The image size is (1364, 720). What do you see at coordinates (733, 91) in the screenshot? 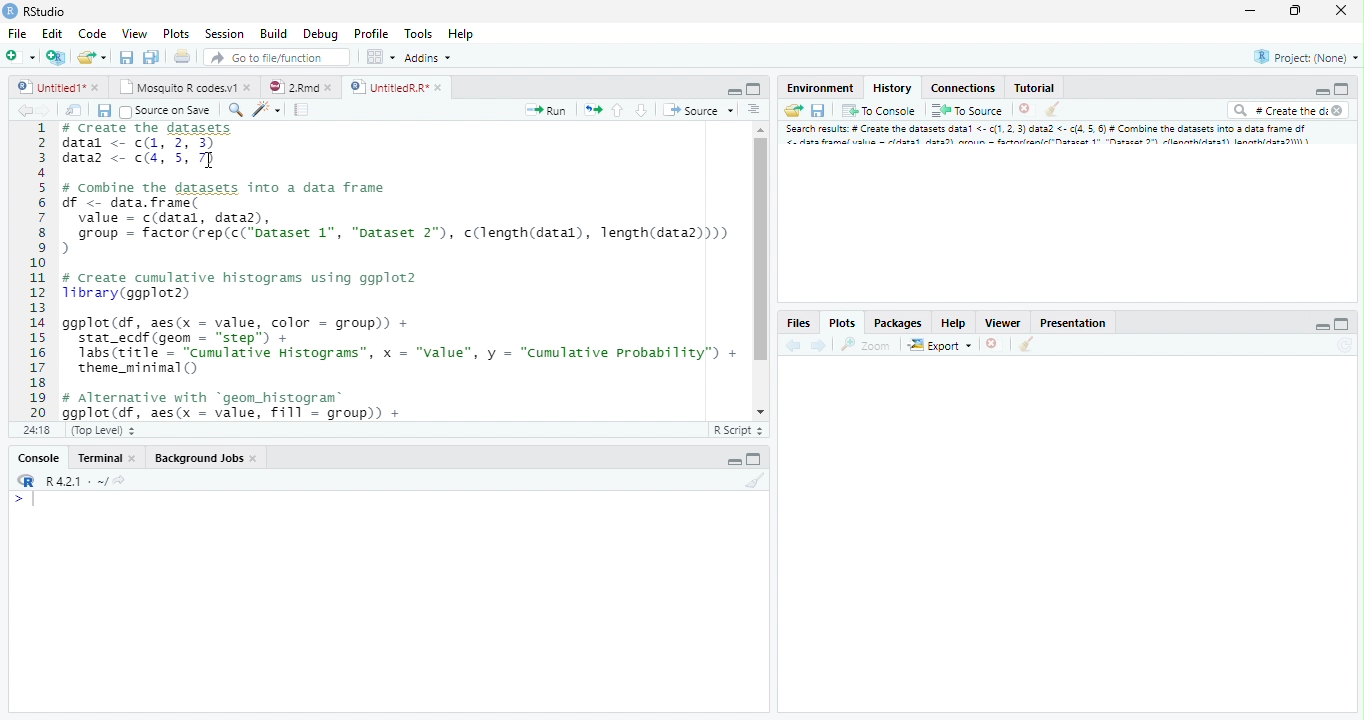
I see `Minimize` at bounding box center [733, 91].